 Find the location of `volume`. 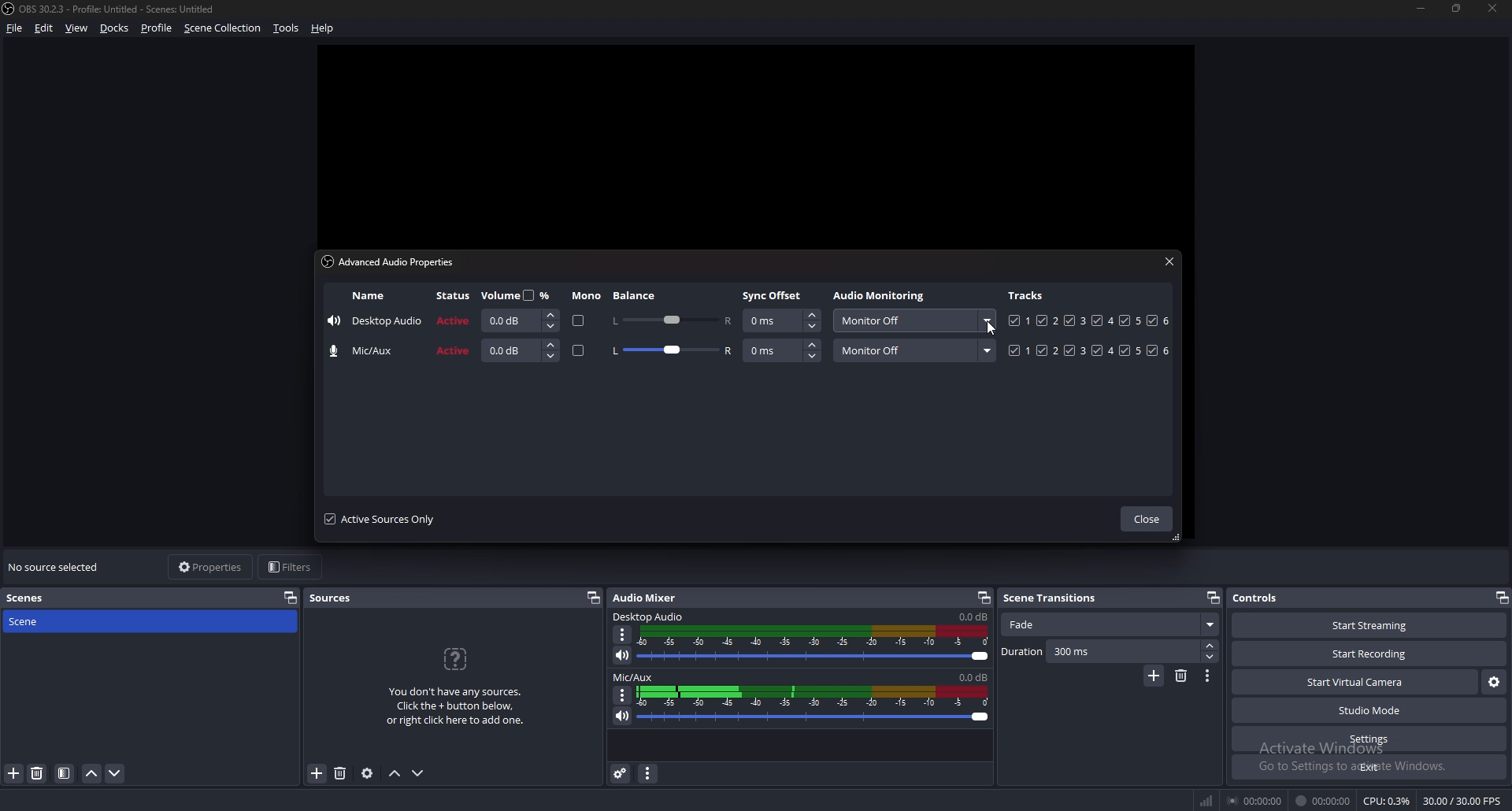

volume is located at coordinates (519, 294).